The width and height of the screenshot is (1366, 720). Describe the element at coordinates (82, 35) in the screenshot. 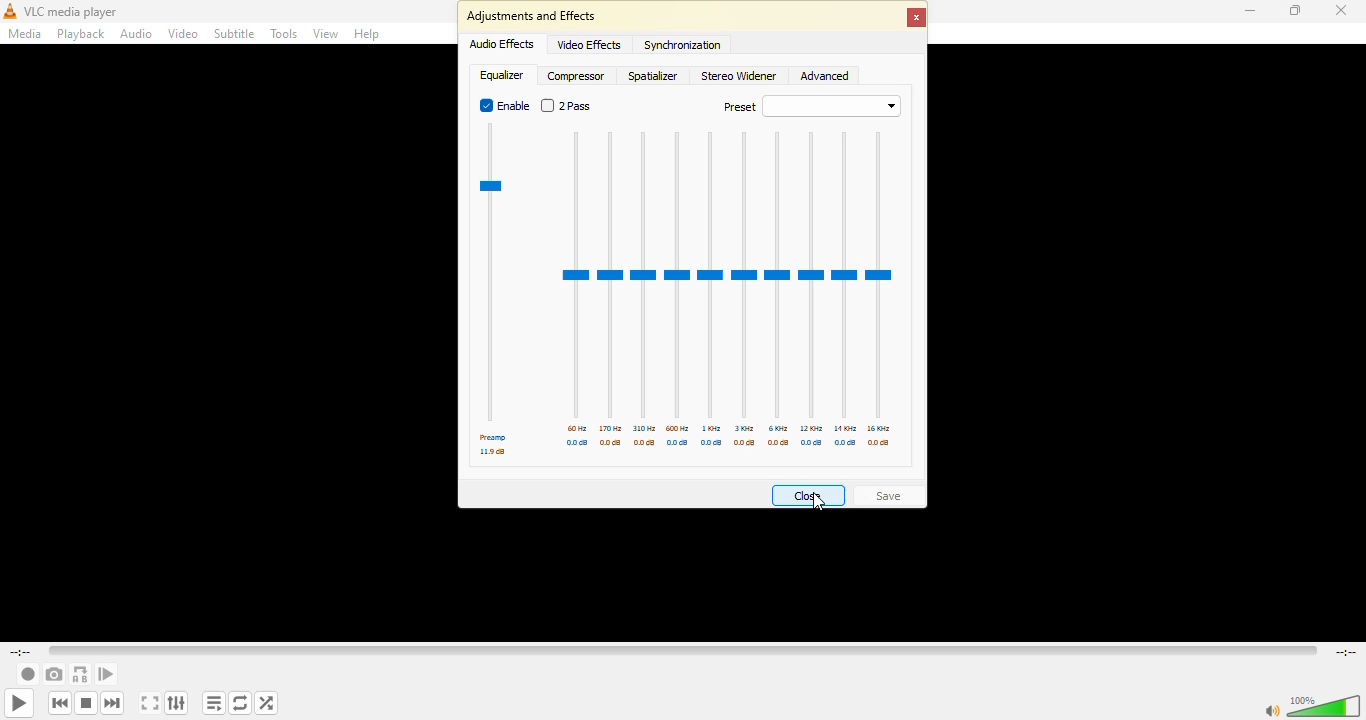

I see `playback` at that location.